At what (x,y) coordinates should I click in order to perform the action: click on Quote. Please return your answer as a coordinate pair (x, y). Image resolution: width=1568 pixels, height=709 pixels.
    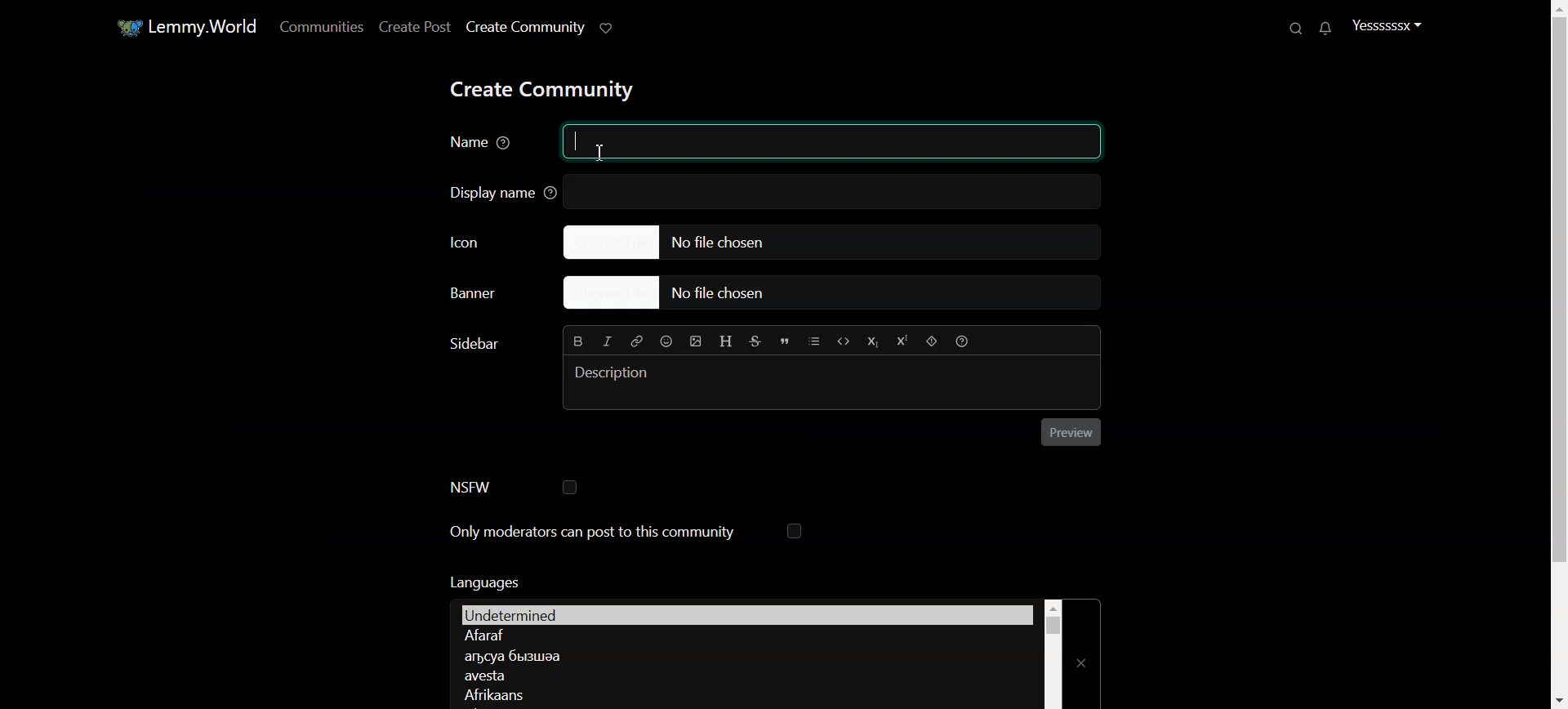
    Looking at the image, I should click on (785, 341).